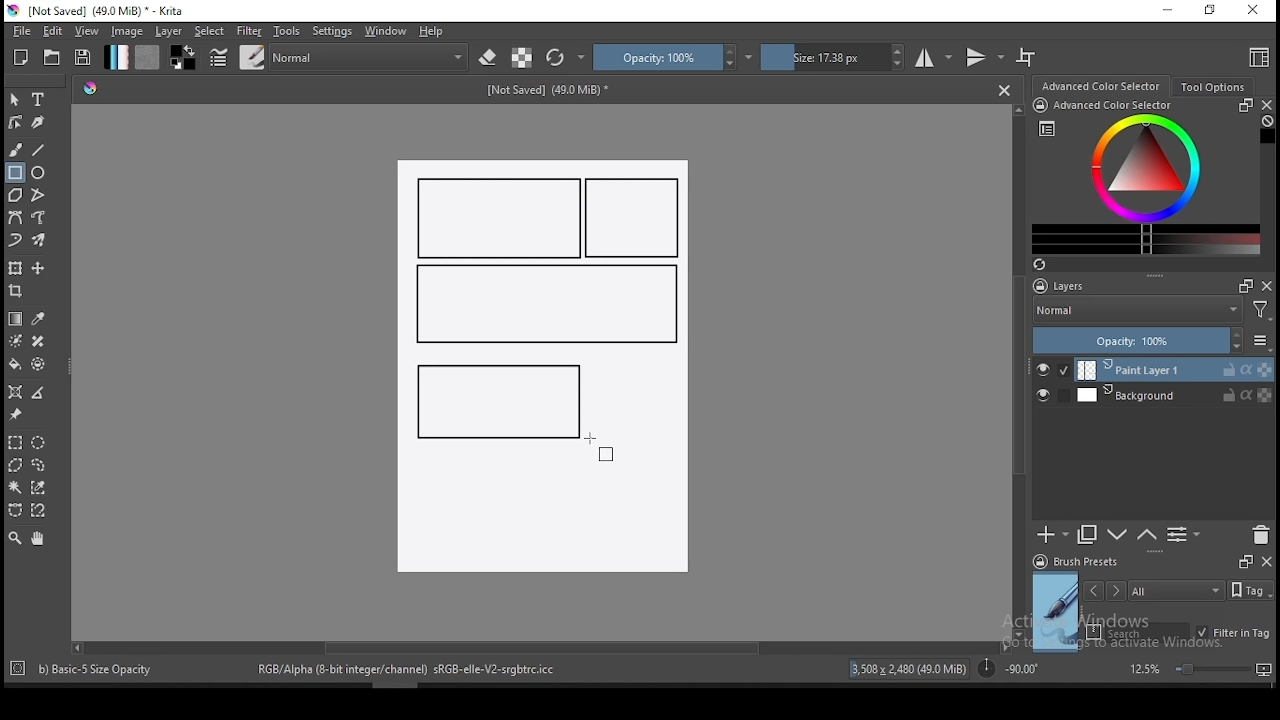 Image resolution: width=1280 pixels, height=720 pixels. Describe the element at coordinates (52, 30) in the screenshot. I see `edit` at that location.